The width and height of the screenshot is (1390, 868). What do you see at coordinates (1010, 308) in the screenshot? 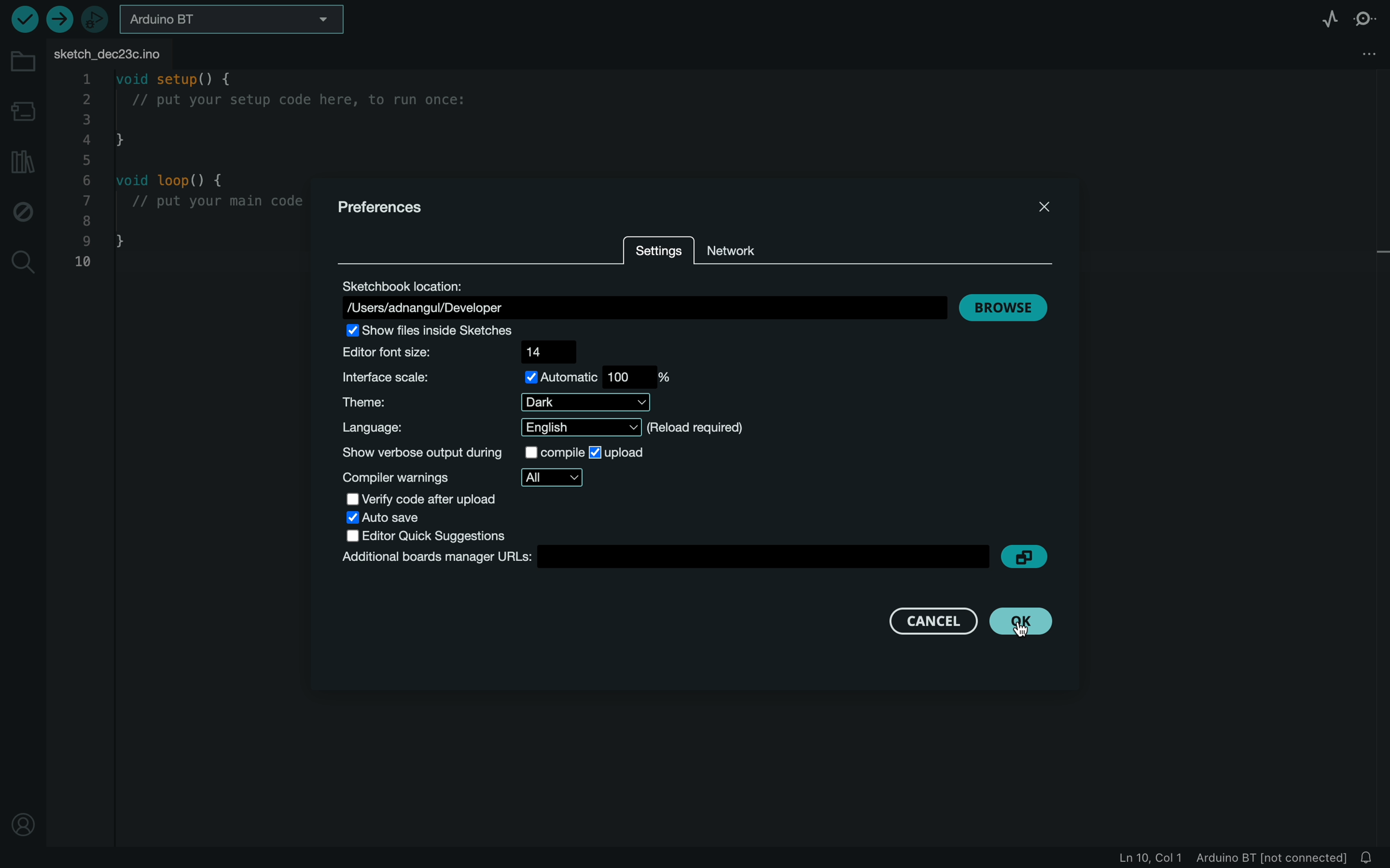
I see `browse` at bounding box center [1010, 308].